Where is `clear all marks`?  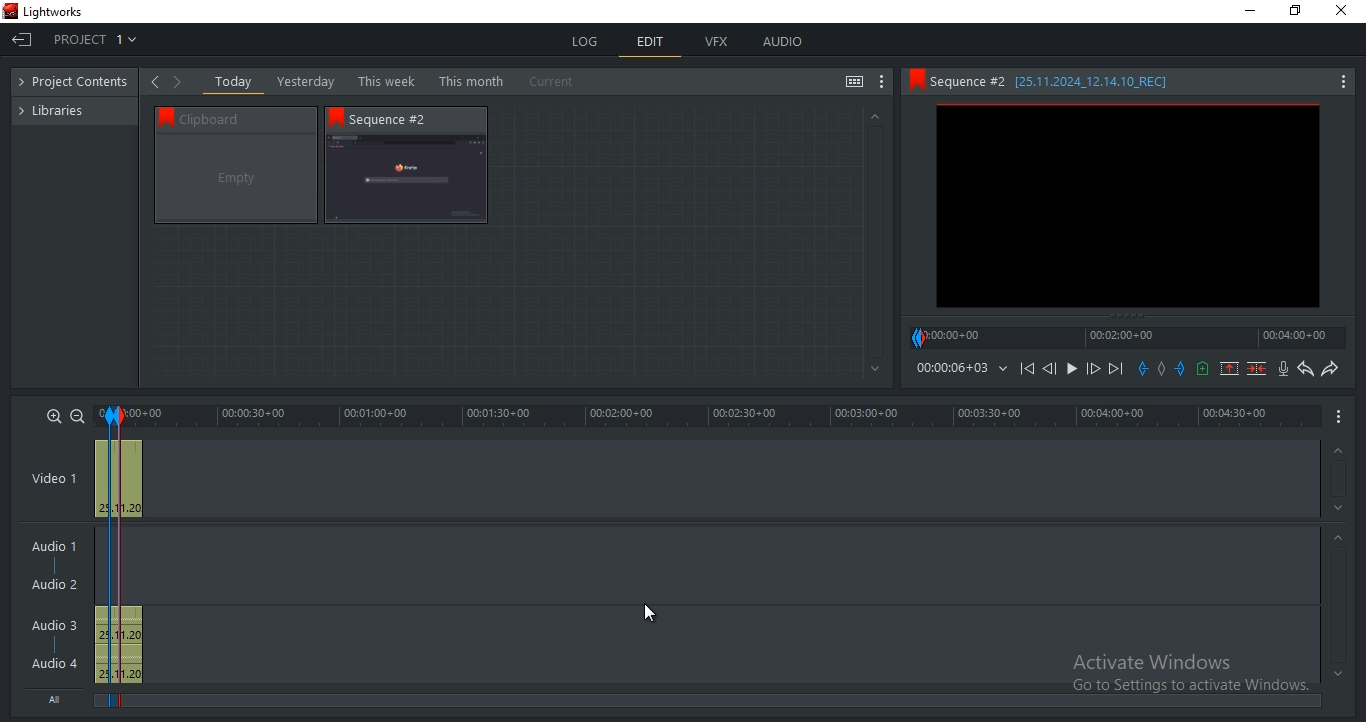 clear all marks is located at coordinates (1165, 370).